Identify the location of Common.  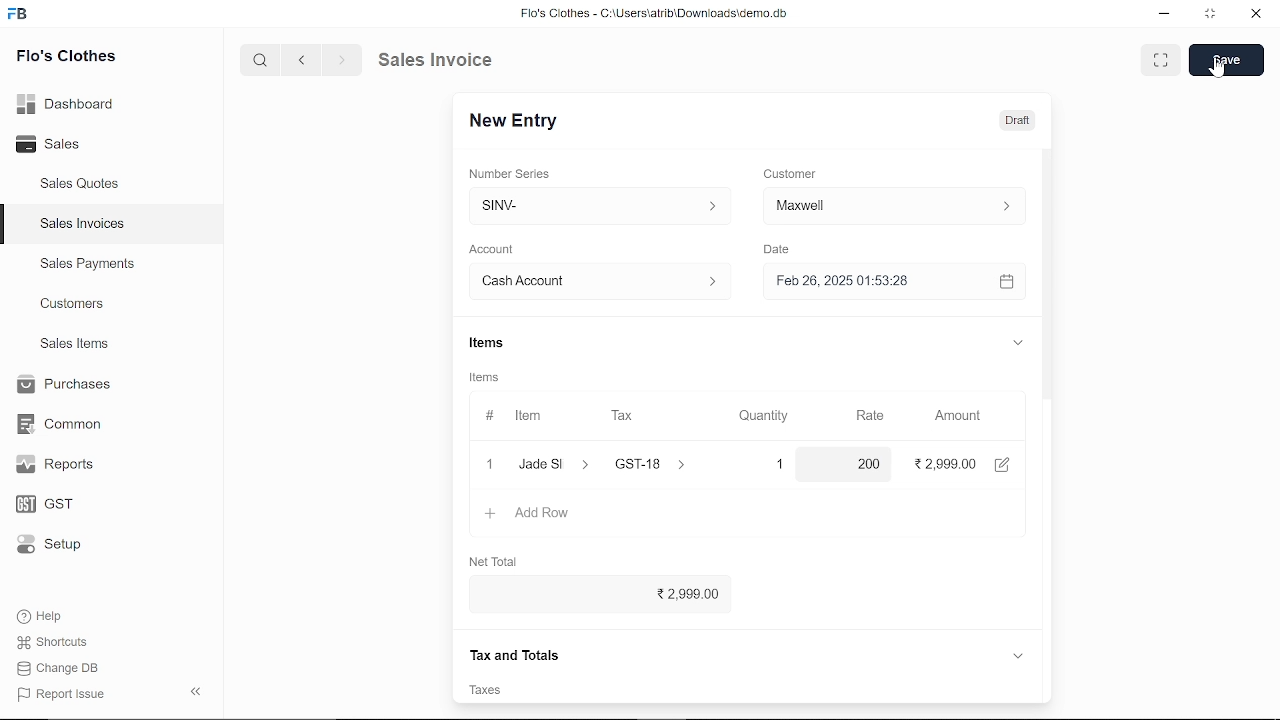
(62, 424).